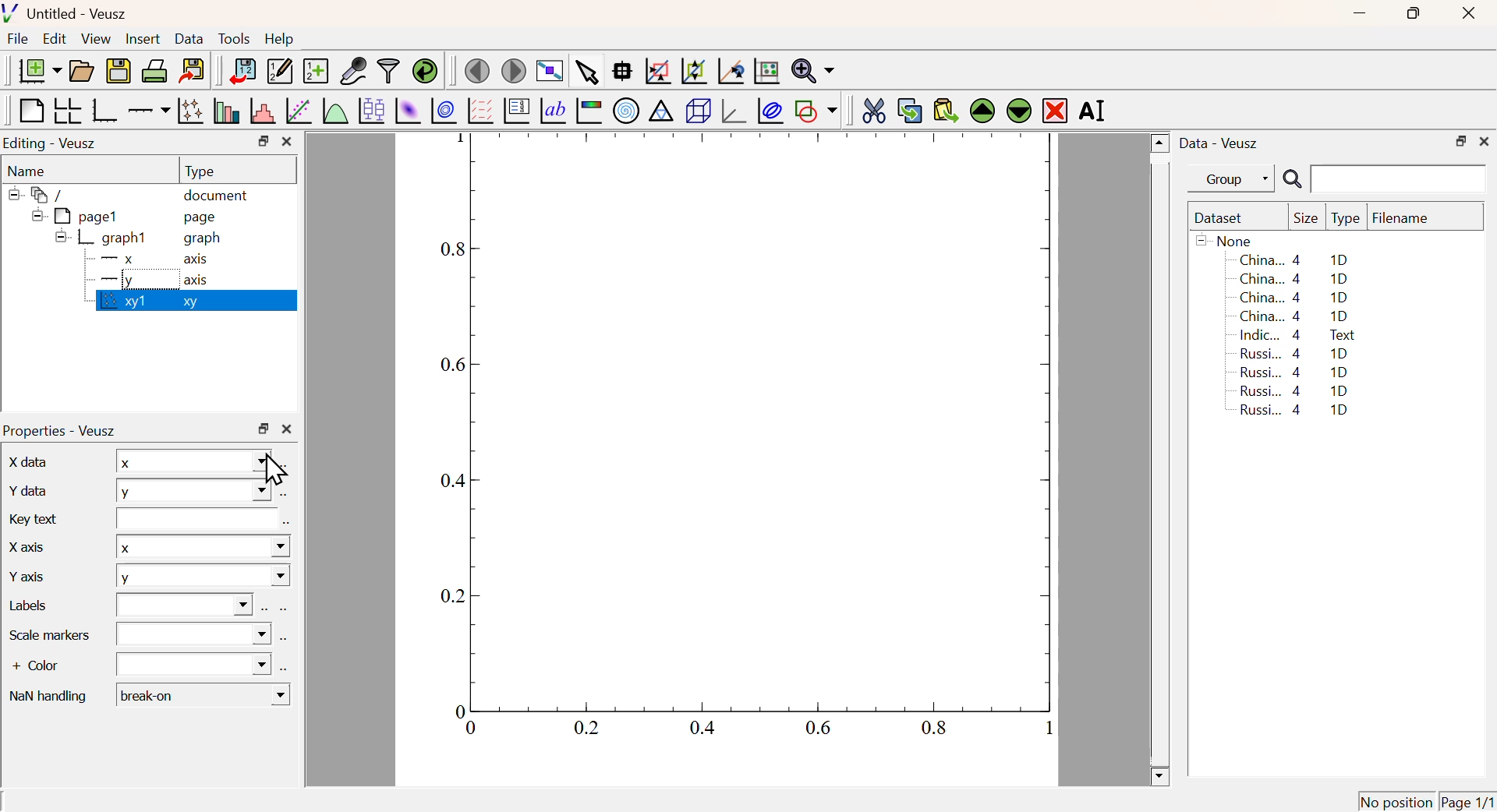  I want to click on Labels, so click(39, 607).